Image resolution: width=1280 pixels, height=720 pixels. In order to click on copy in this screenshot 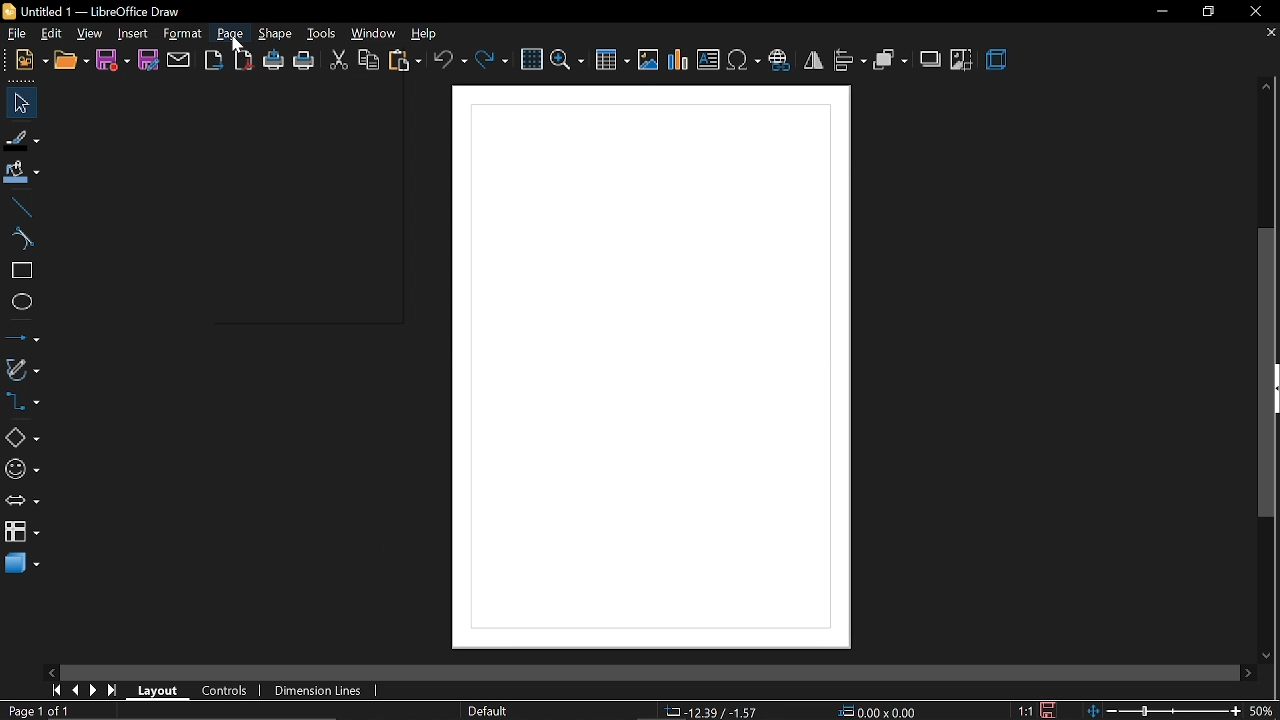, I will do `click(368, 61)`.